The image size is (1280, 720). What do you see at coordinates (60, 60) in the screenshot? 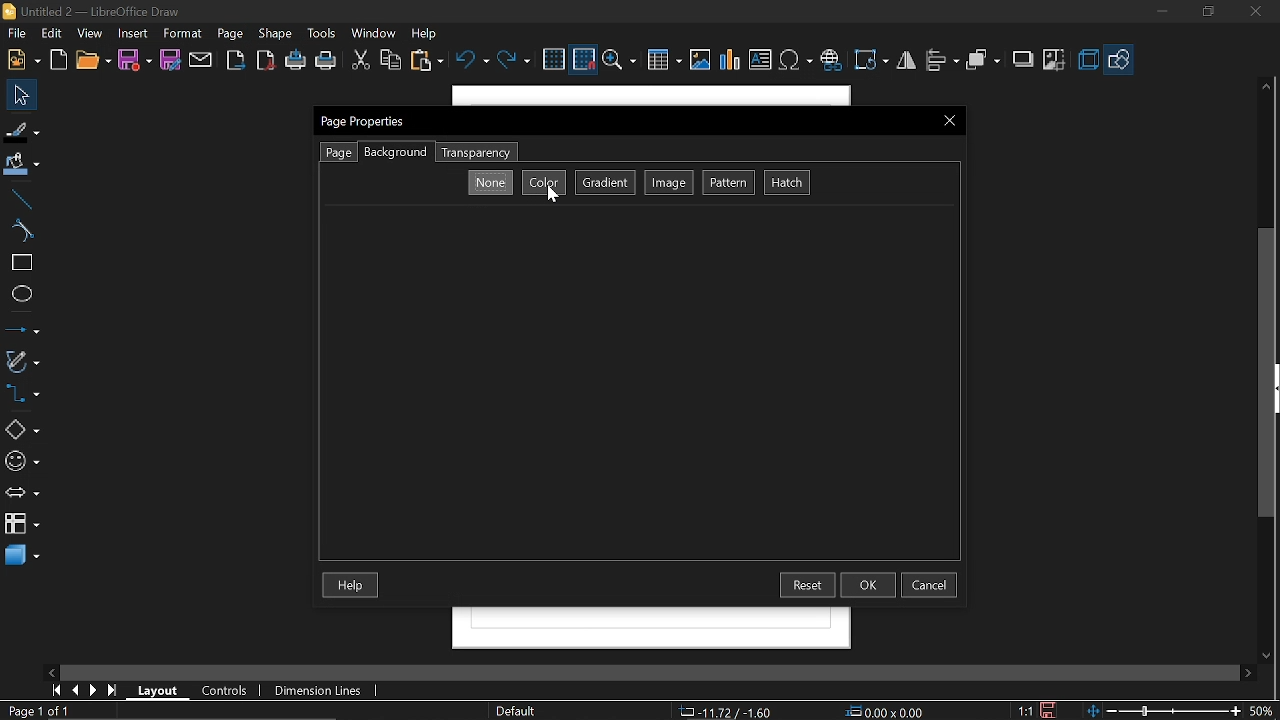
I see `Open template` at bounding box center [60, 60].